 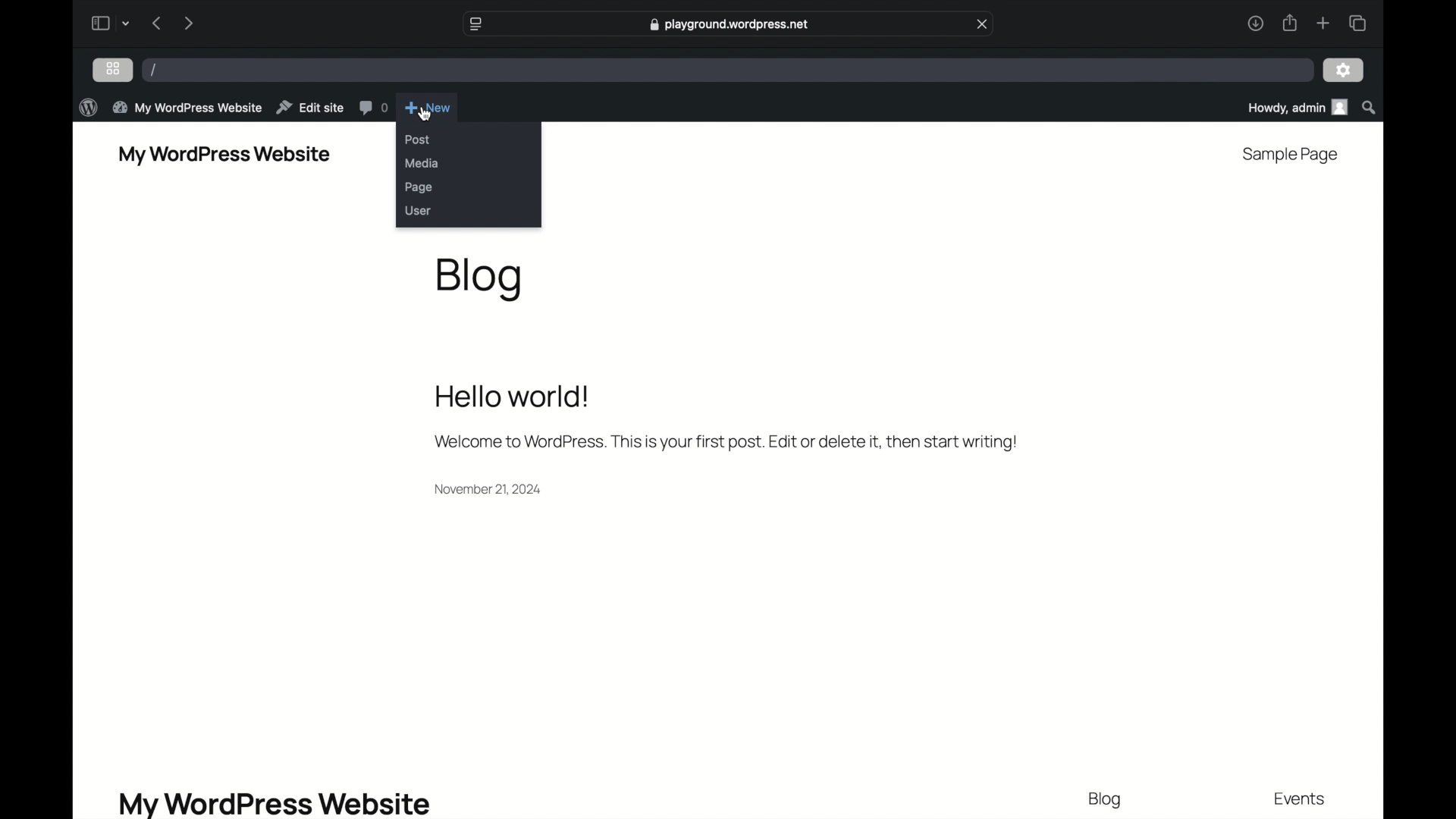 What do you see at coordinates (1324, 23) in the screenshot?
I see `new tab` at bounding box center [1324, 23].